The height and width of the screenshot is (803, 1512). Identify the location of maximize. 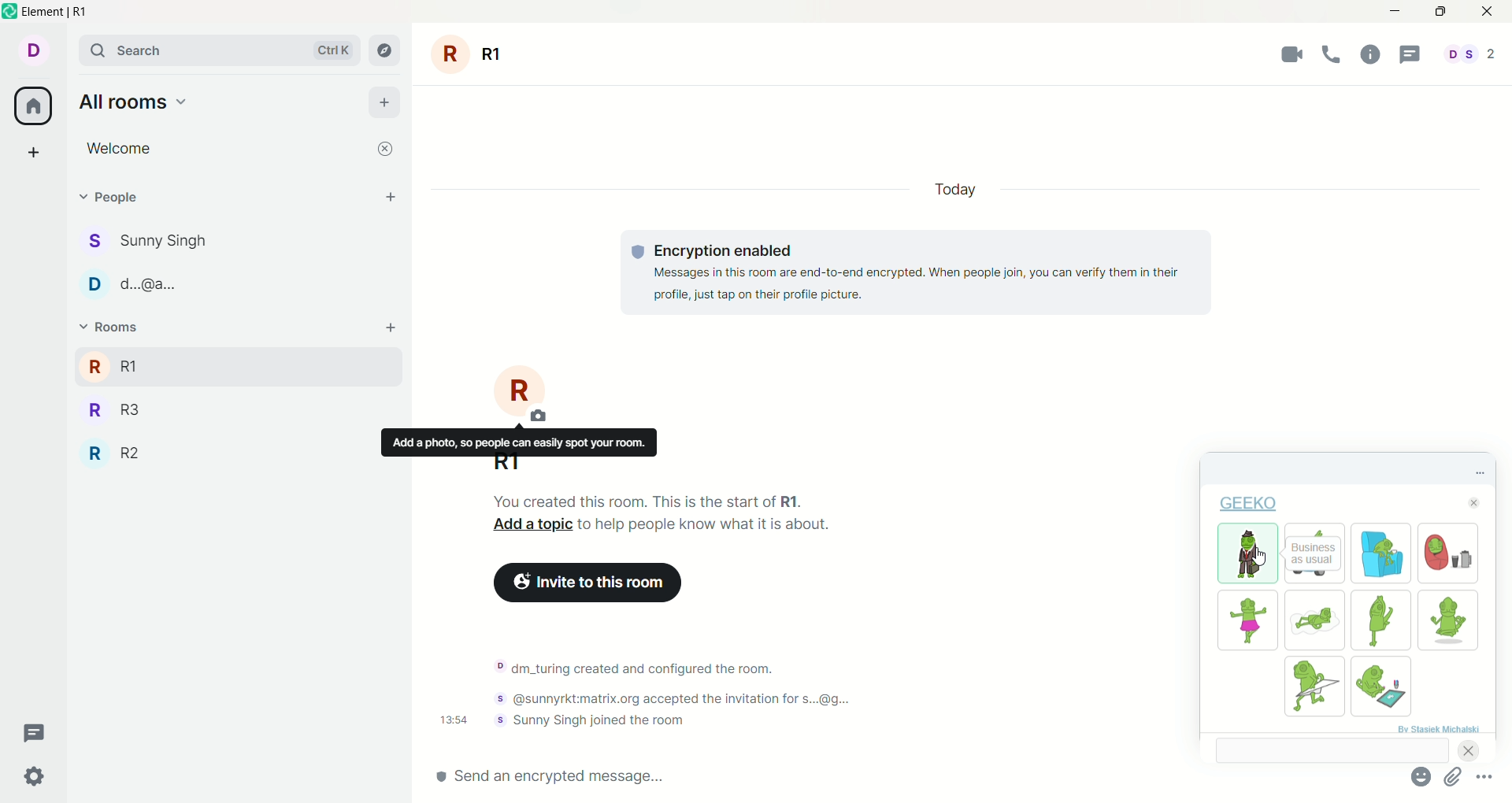
(1440, 12).